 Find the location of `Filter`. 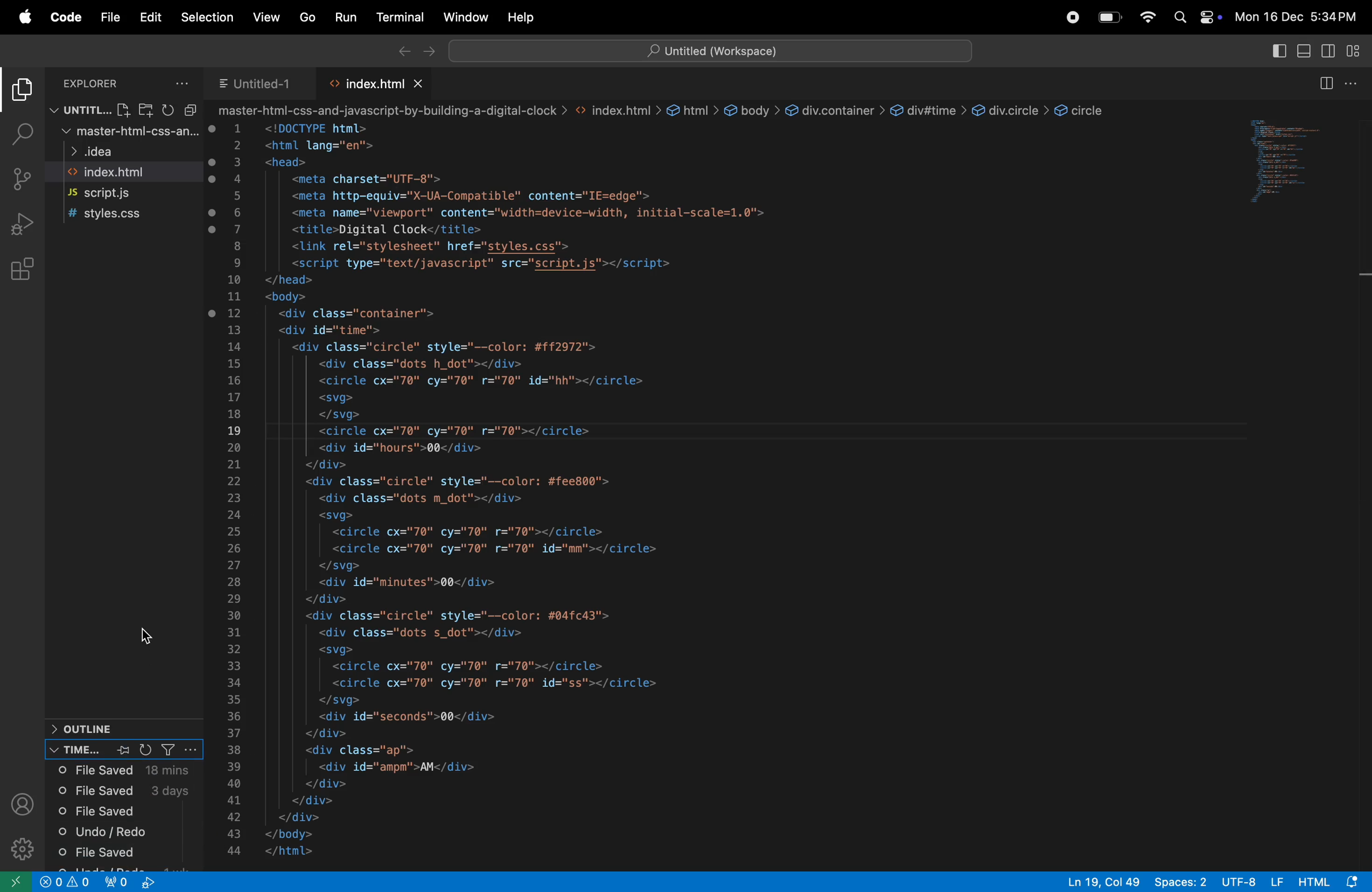

Filter is located at coordinates (167, 750).